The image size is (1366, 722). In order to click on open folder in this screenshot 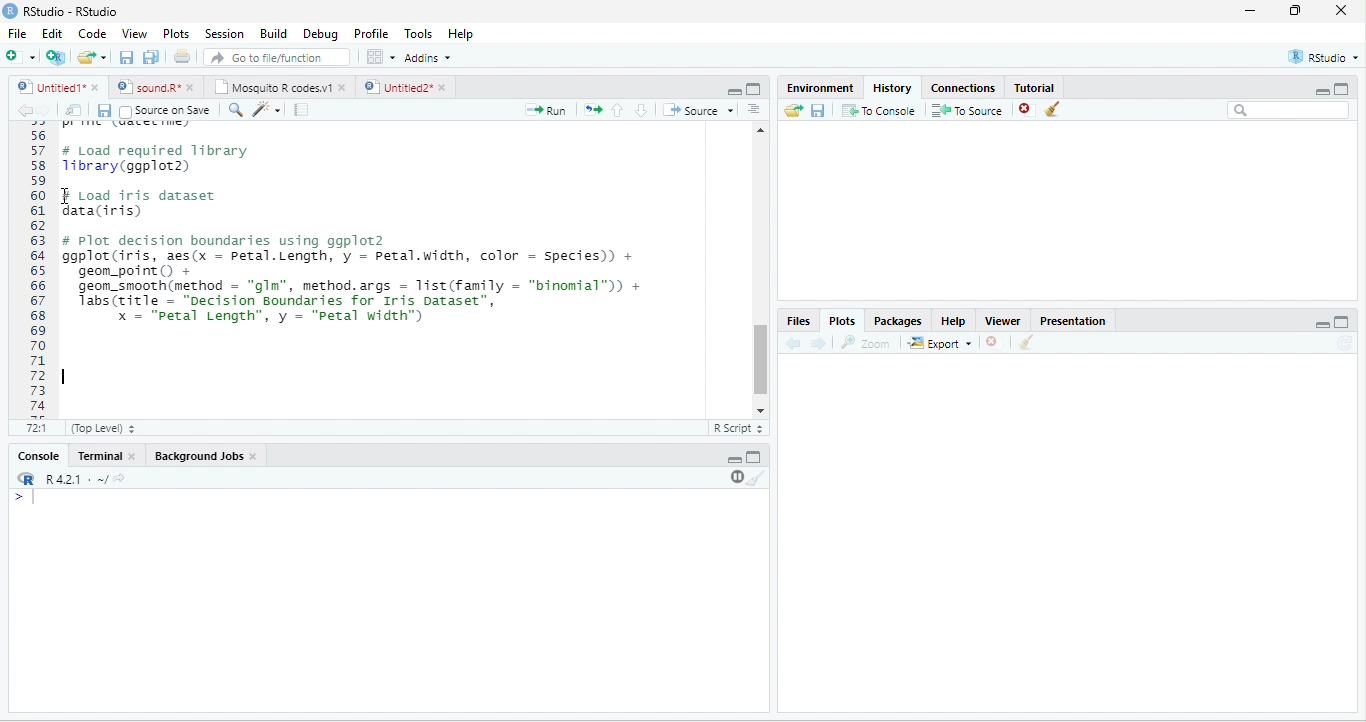, I will do `click(794, 110)`.